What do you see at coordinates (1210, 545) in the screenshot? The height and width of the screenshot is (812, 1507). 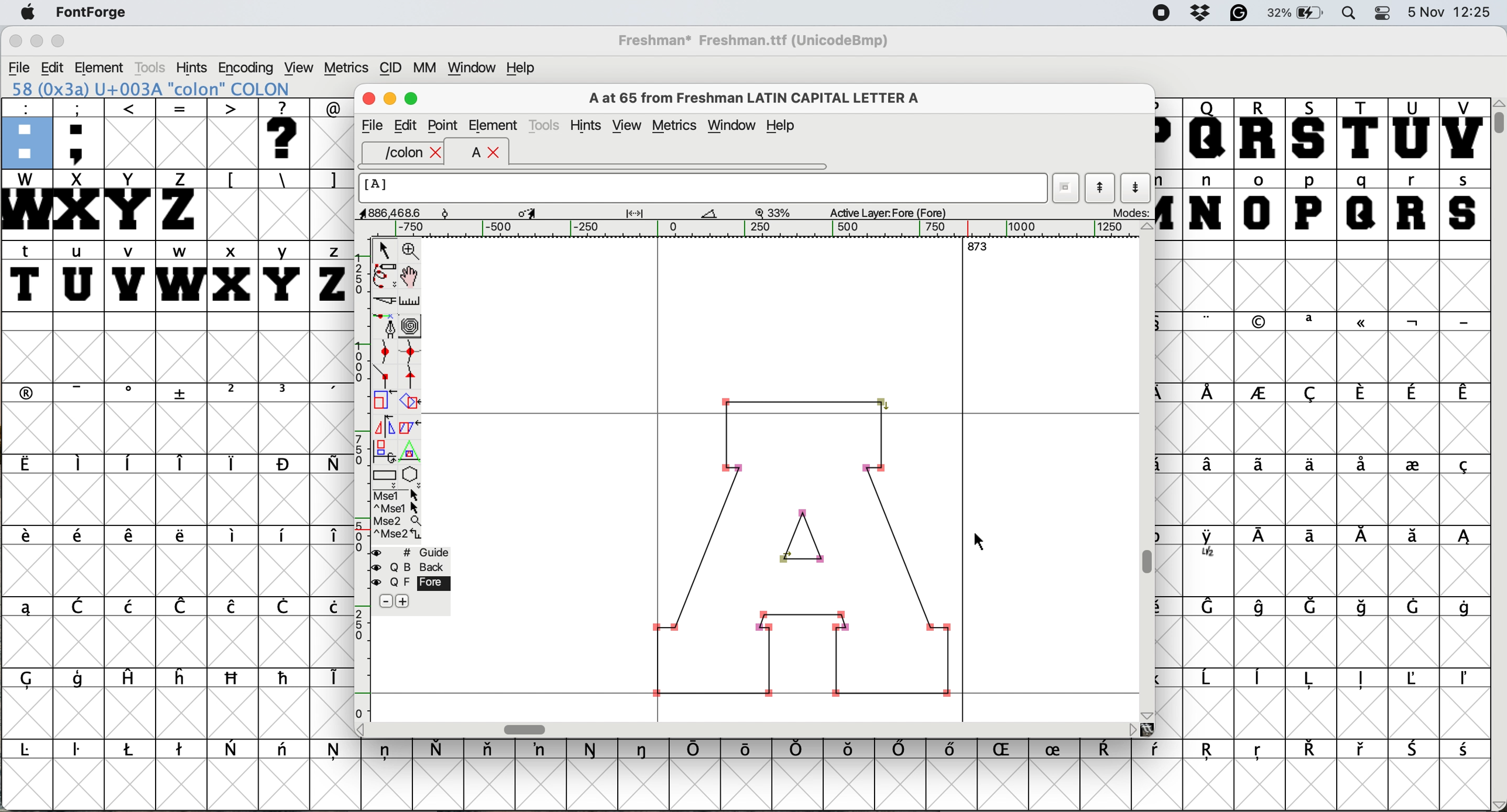 I see `symbol` at bounding box center [1210, 545].